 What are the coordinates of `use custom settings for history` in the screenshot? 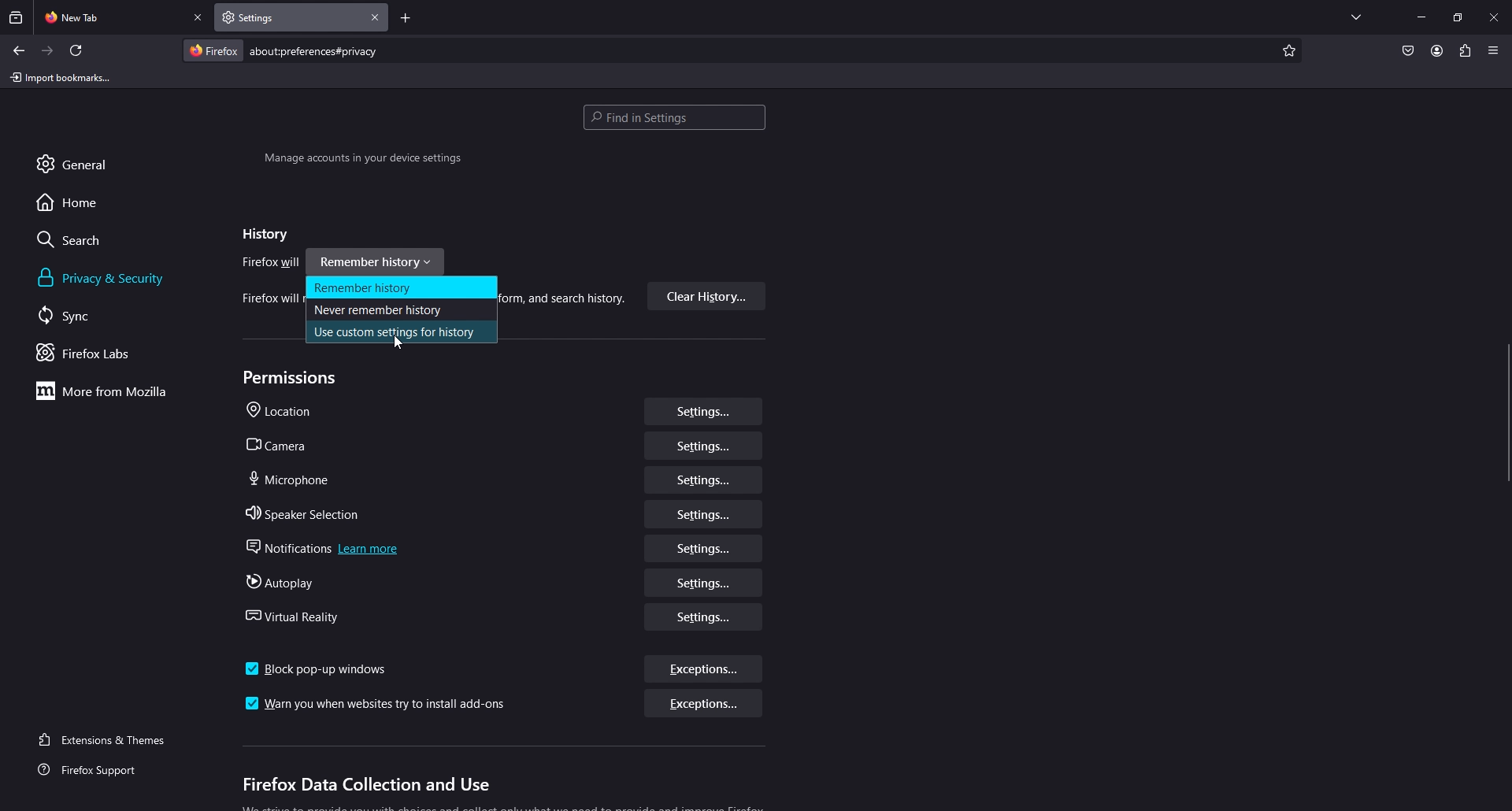 It's located at (401, 333).